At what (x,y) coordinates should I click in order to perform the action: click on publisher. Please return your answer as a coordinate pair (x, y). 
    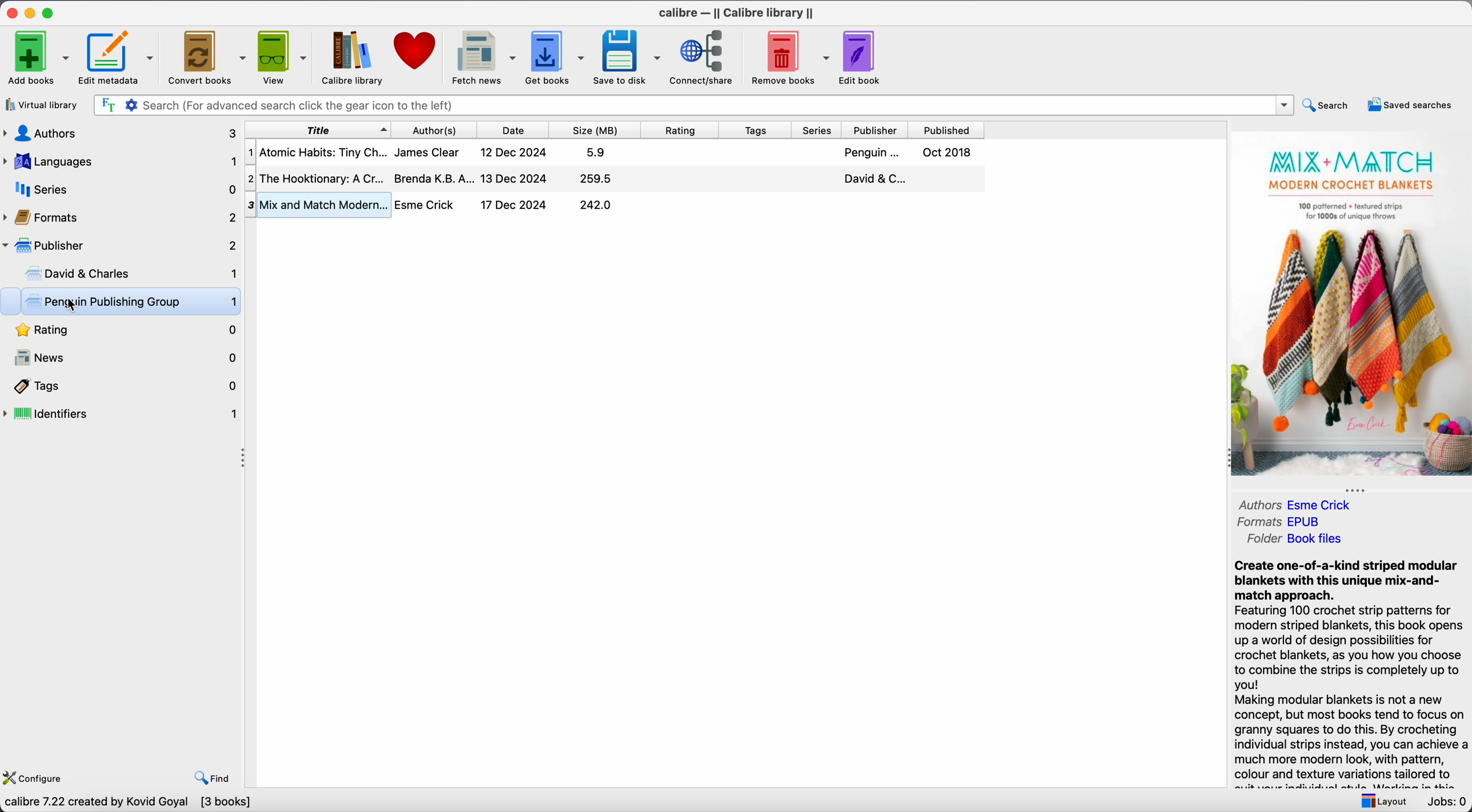
    Looking at the image, I should click on (877, 130).